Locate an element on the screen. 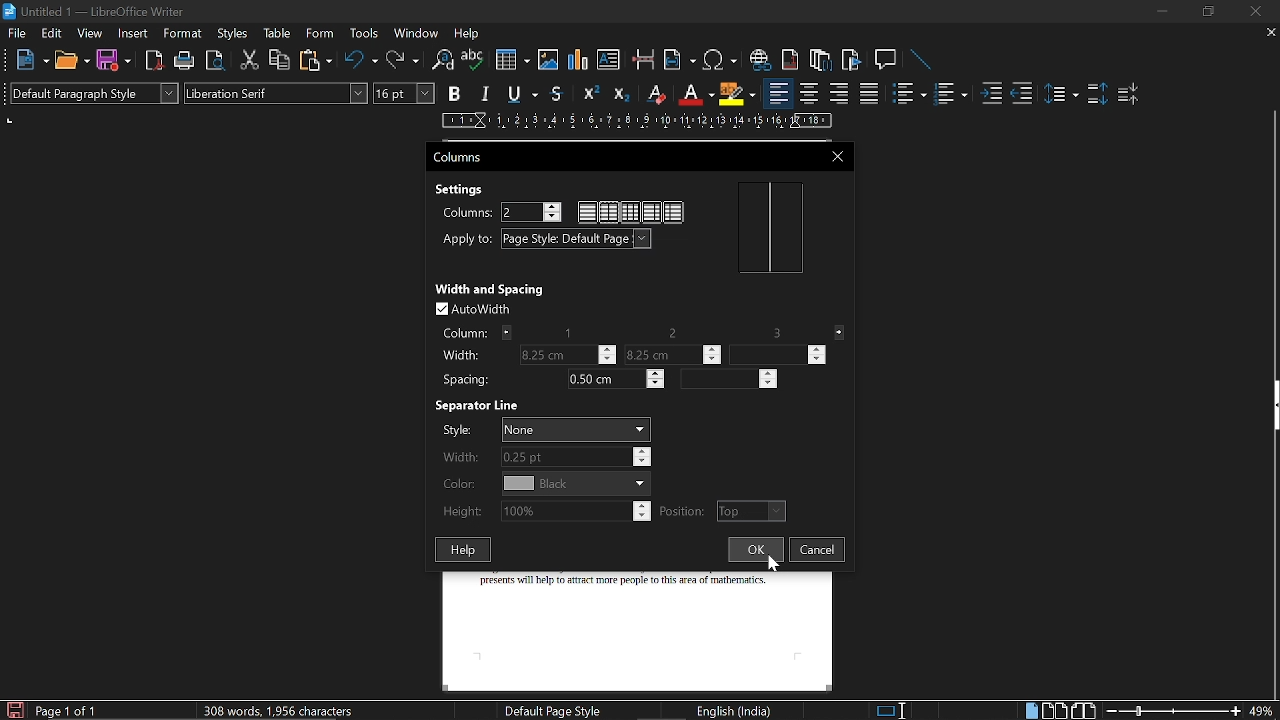 The image size is (1280, 720). Column style 2 is located at coordinates (650, 211).